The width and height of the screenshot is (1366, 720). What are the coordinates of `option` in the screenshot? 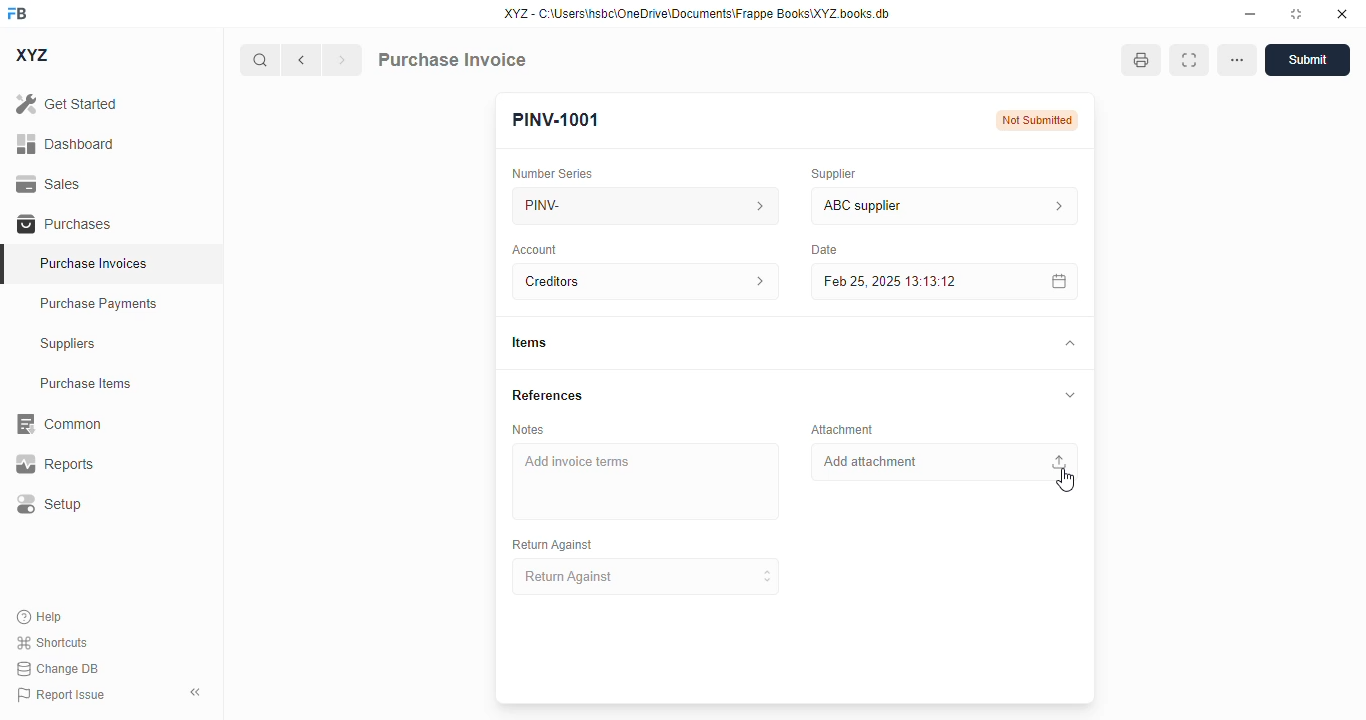 It's located at (1237, 60).